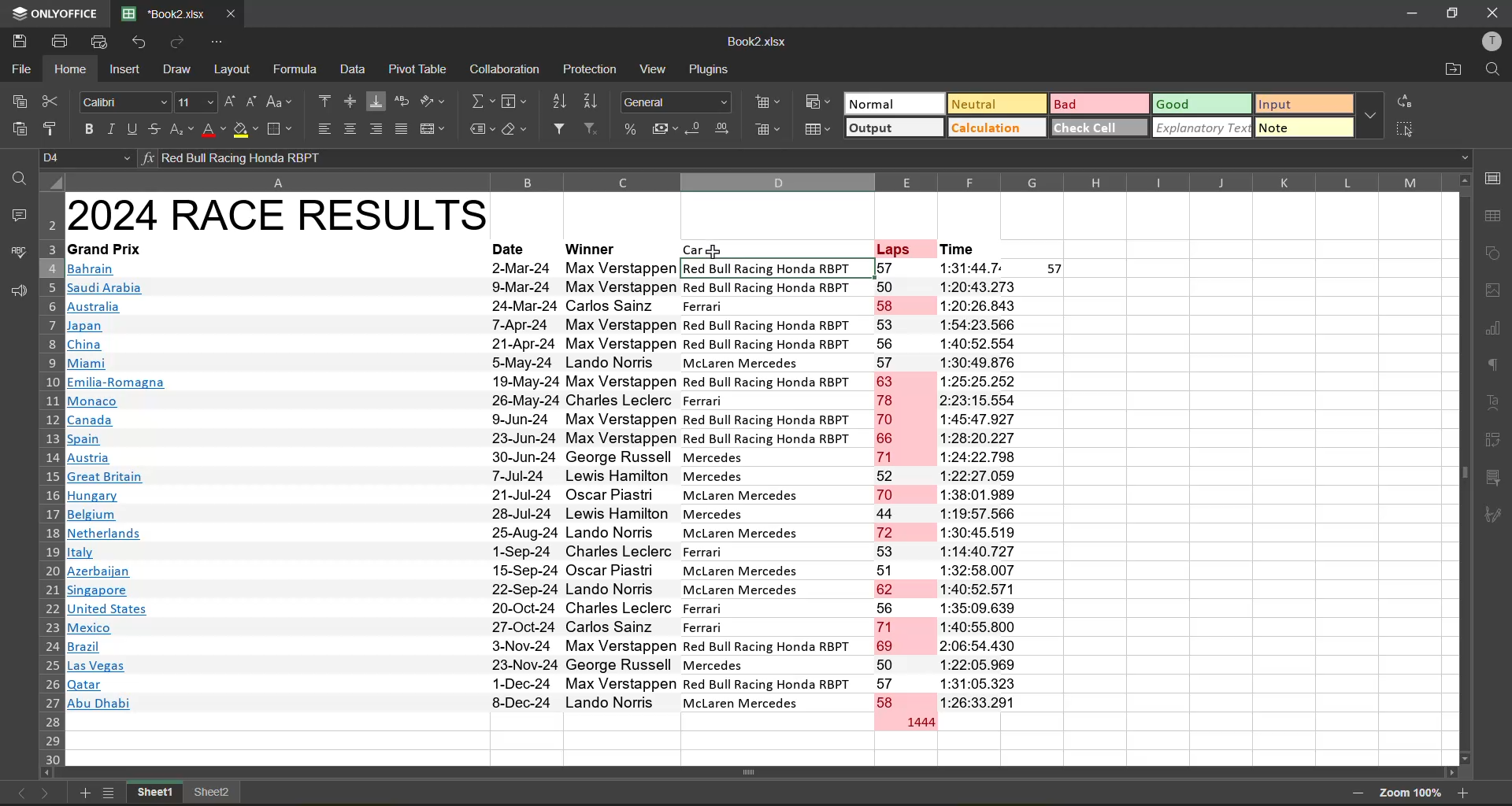 This screenshot has width=1512, height=806. Describe the element at coordinates (1410, 130) in the screenshot. I see `select all` at that location.